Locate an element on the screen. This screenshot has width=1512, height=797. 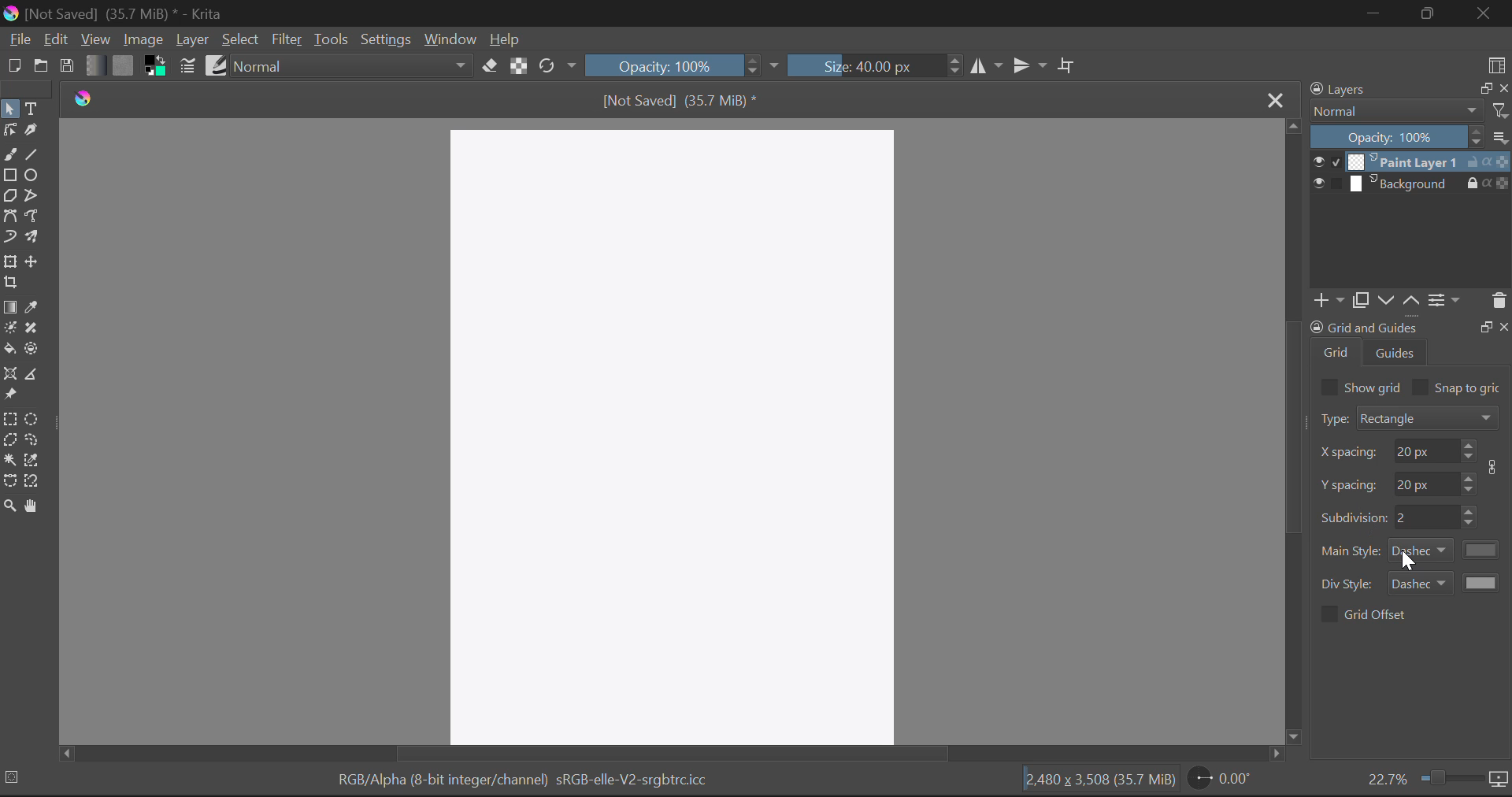
settings is located at coordinates (1444, 299).